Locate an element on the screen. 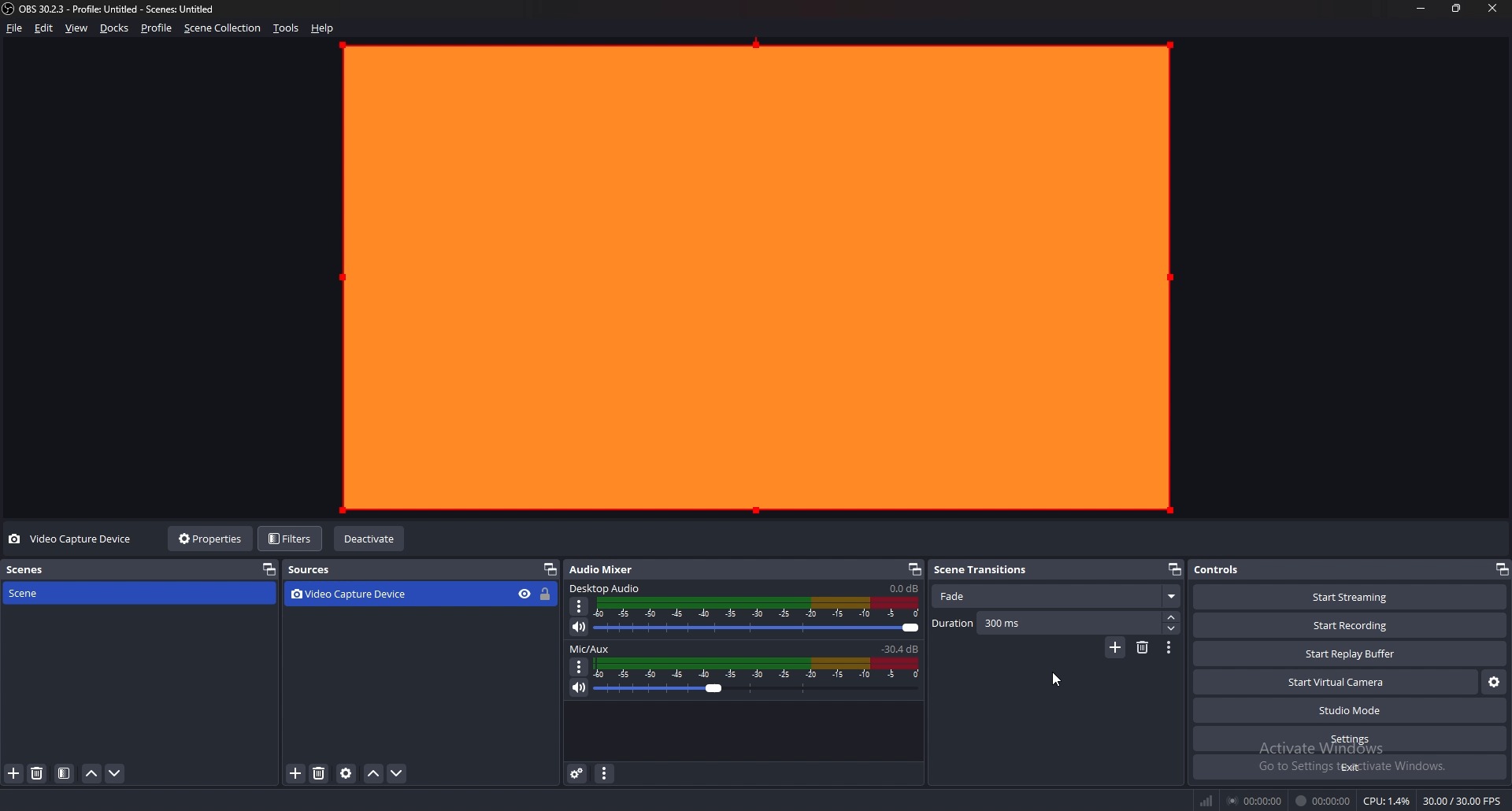  transition properties is located at coordinates (1168, 647).